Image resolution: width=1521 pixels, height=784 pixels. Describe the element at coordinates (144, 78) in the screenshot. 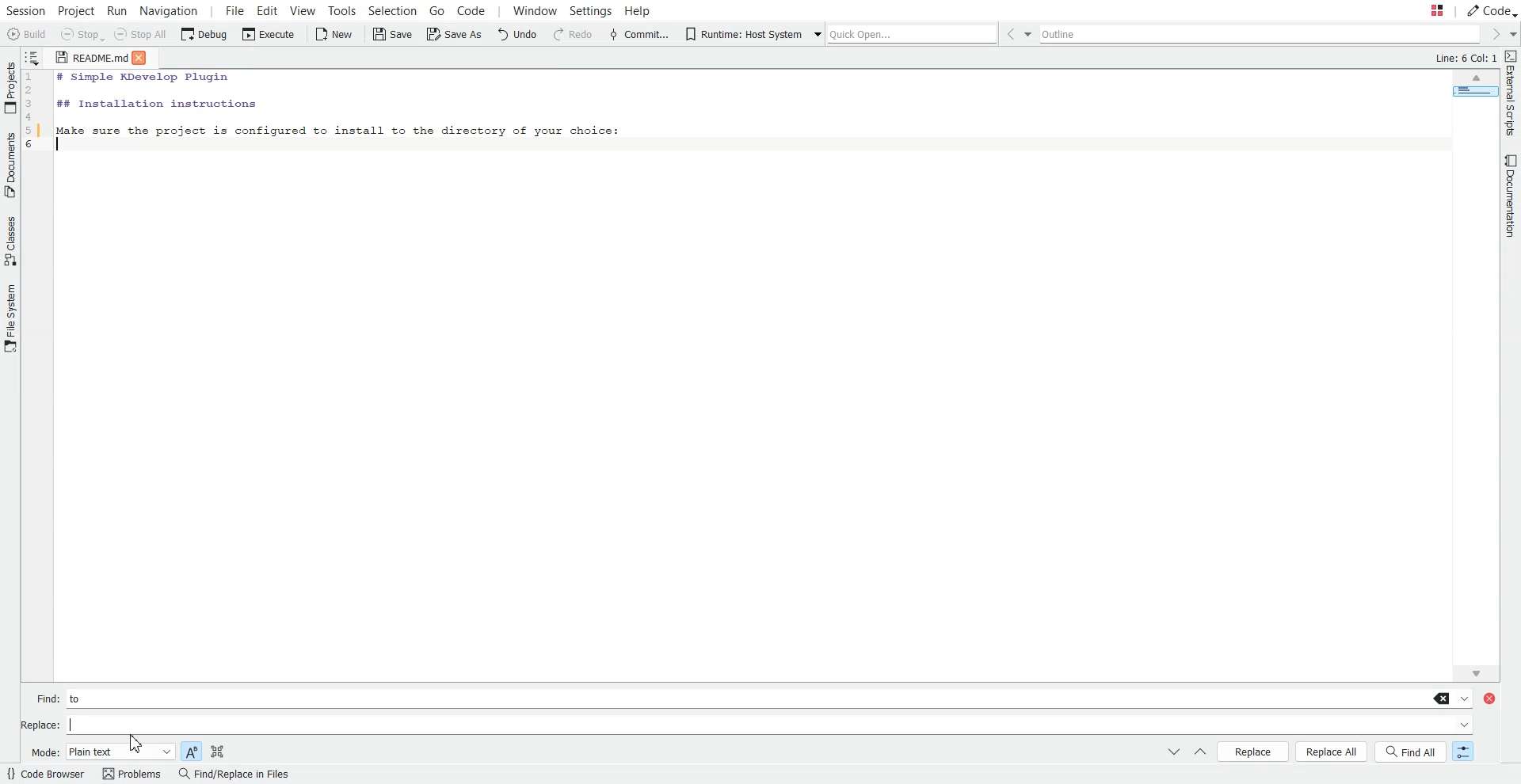

I see `# Simple KDevelop Plugin` at that location.